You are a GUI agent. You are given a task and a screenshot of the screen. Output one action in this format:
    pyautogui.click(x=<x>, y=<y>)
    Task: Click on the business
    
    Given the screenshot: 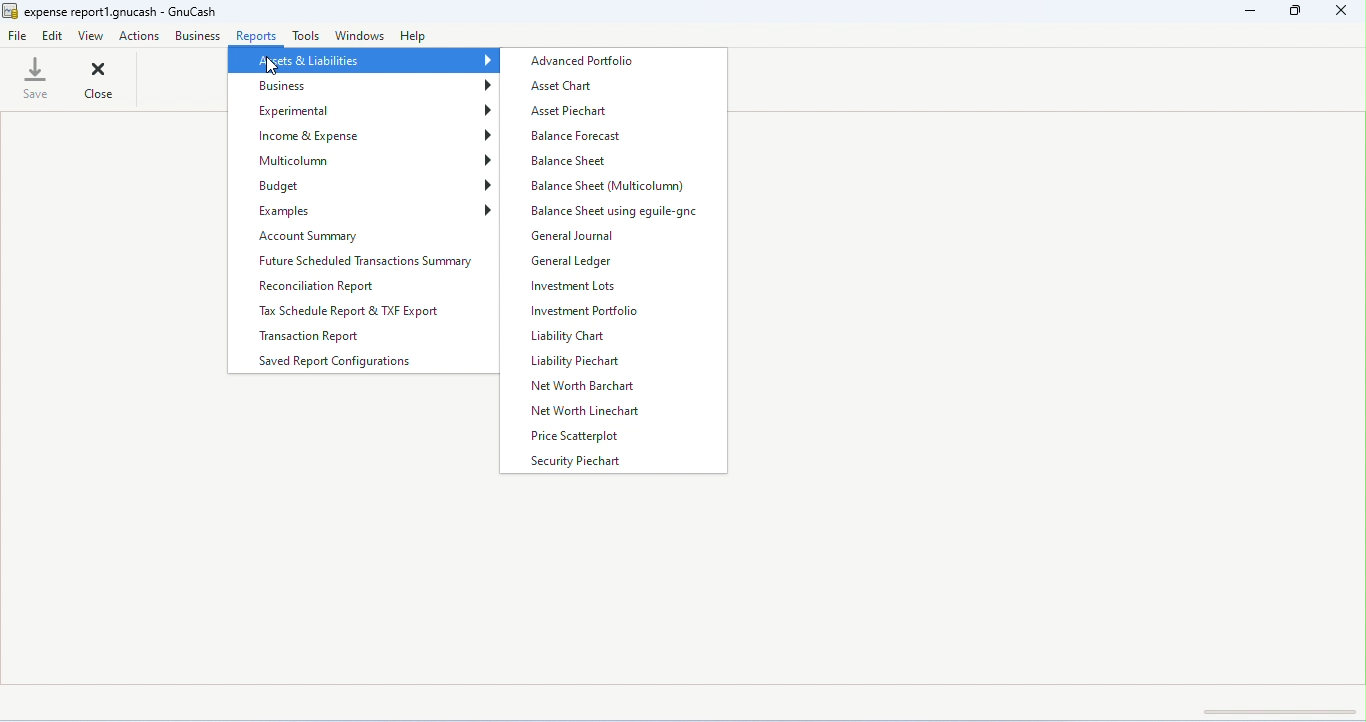 What is the action you would take?
    pyautogui.click(x=365, y=86)
    